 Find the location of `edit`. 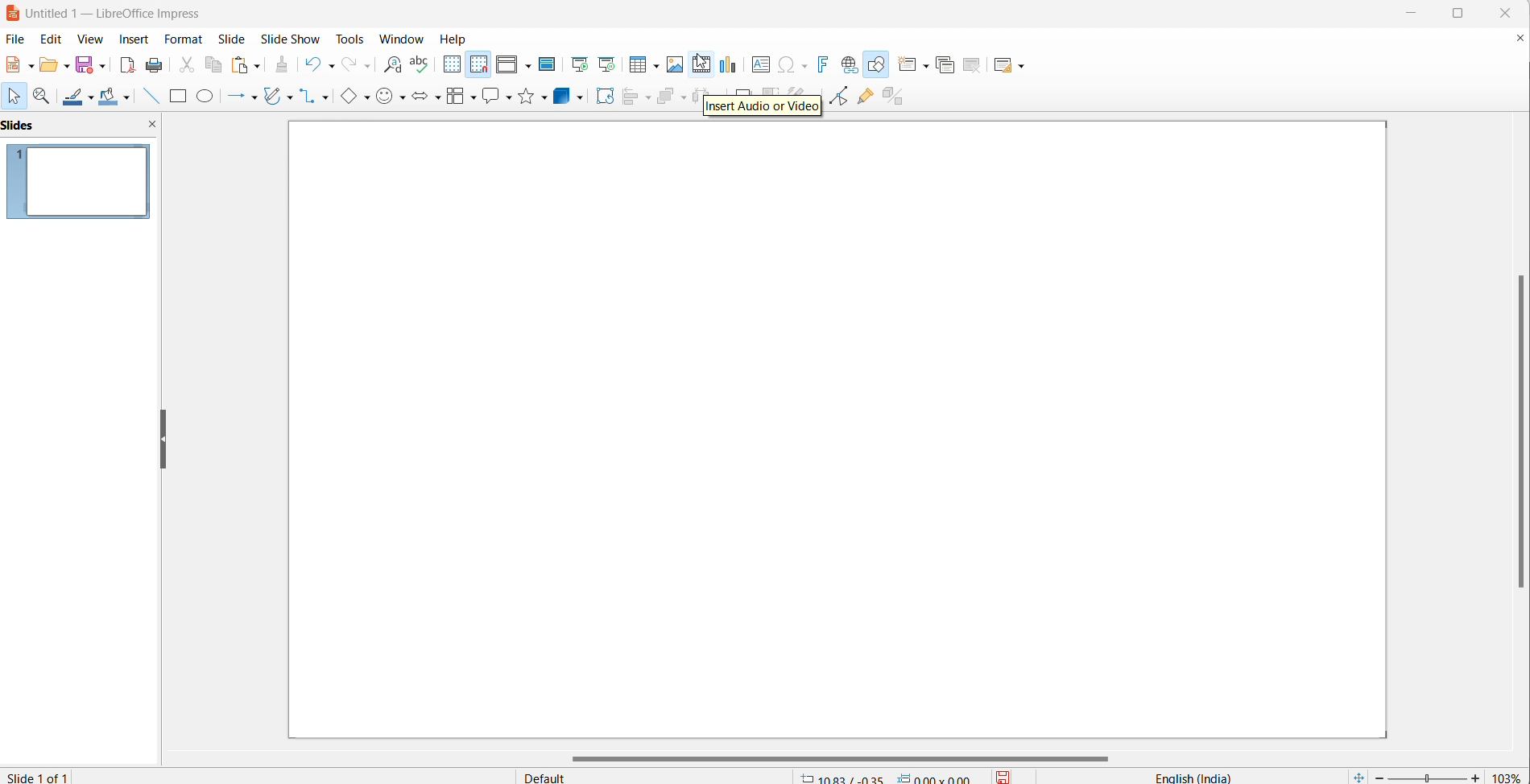

edit is located at coordinates (52, 39).